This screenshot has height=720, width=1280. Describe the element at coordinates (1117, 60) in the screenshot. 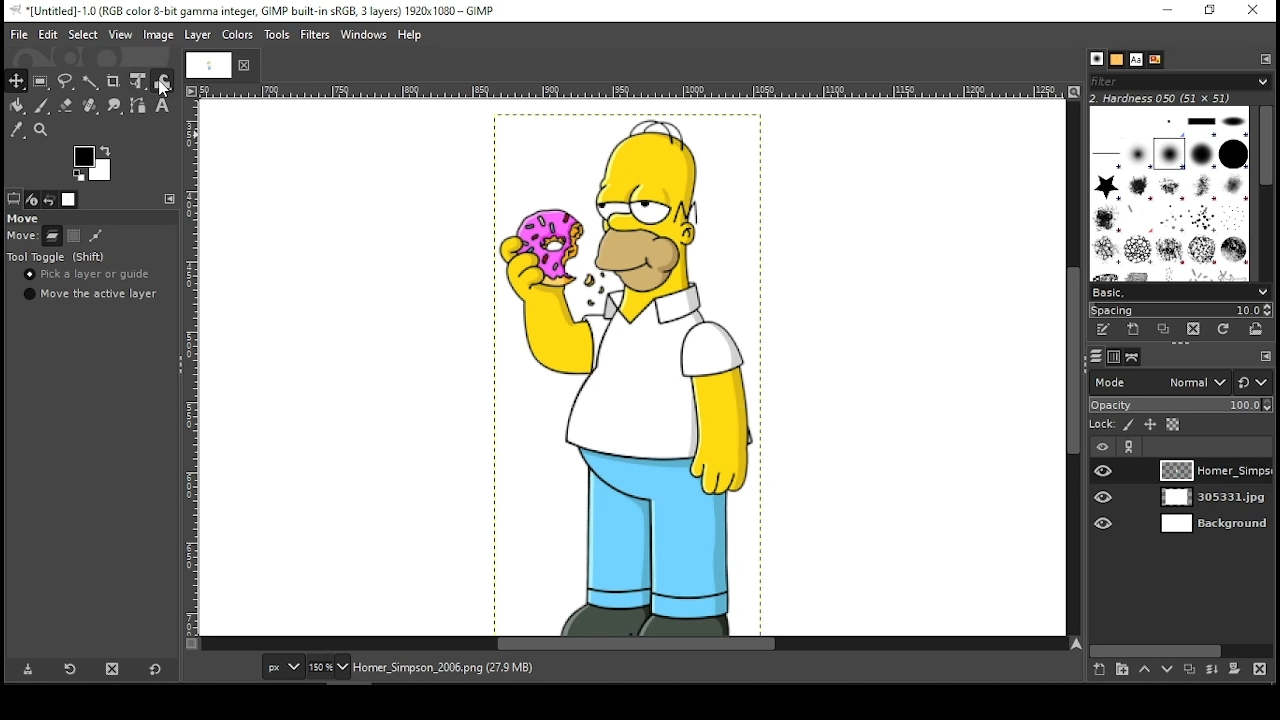

I see `patterns` at that location.